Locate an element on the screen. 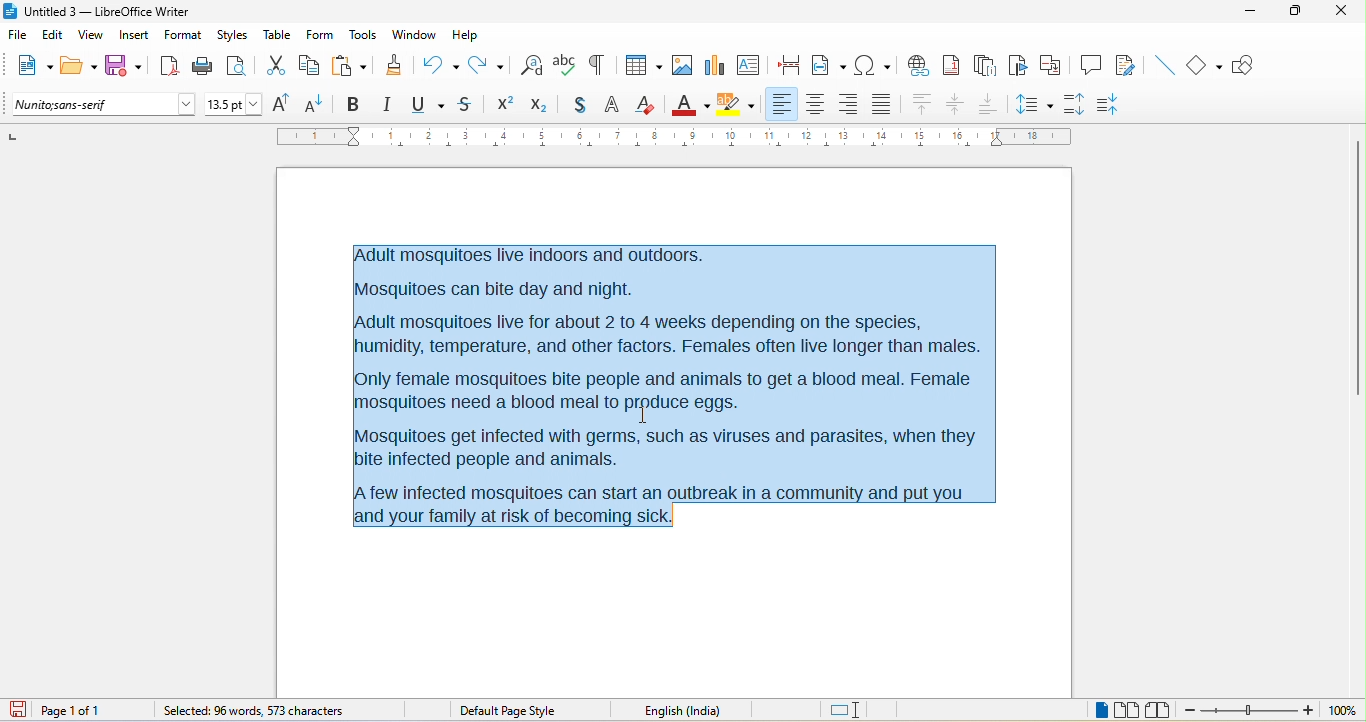 This screenshot has width=1366, height=722. export directly as pdf is located at coordinates (168, 66).